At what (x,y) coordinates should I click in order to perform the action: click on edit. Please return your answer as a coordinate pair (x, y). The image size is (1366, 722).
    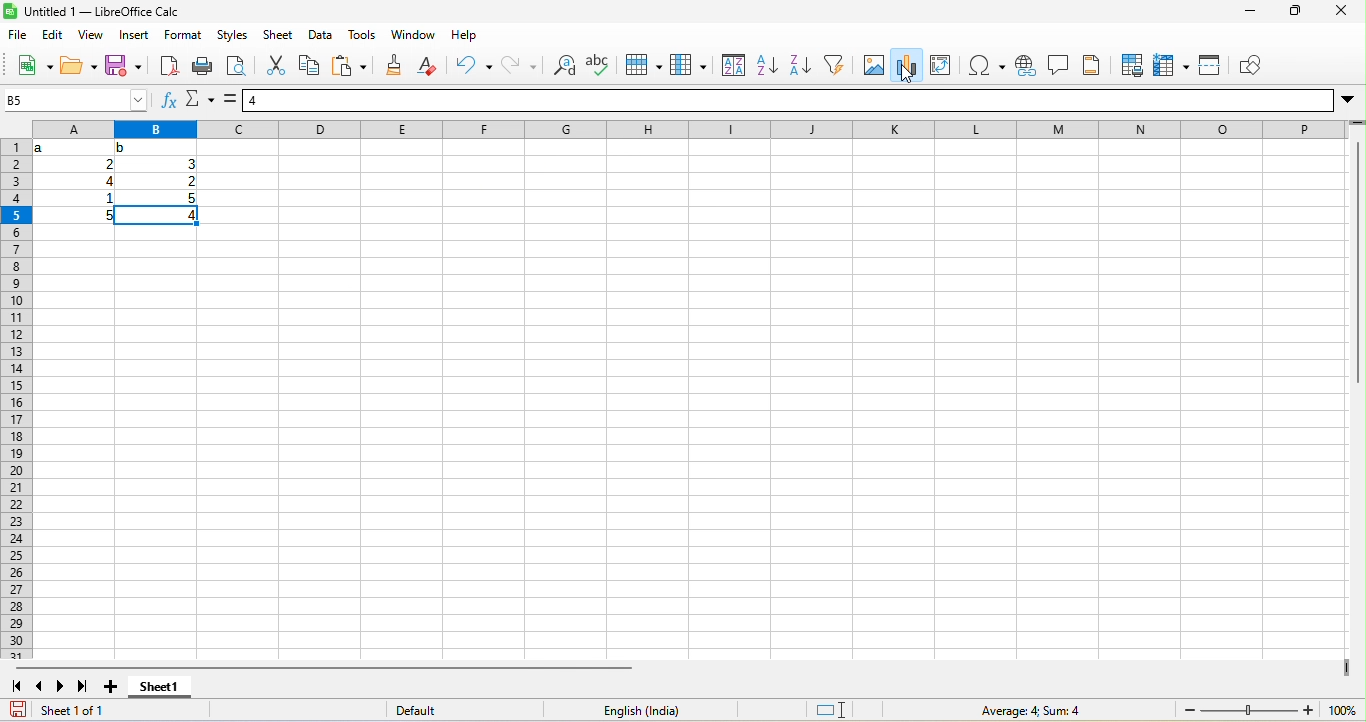
    Looking at the image, I should click on (53, 35).